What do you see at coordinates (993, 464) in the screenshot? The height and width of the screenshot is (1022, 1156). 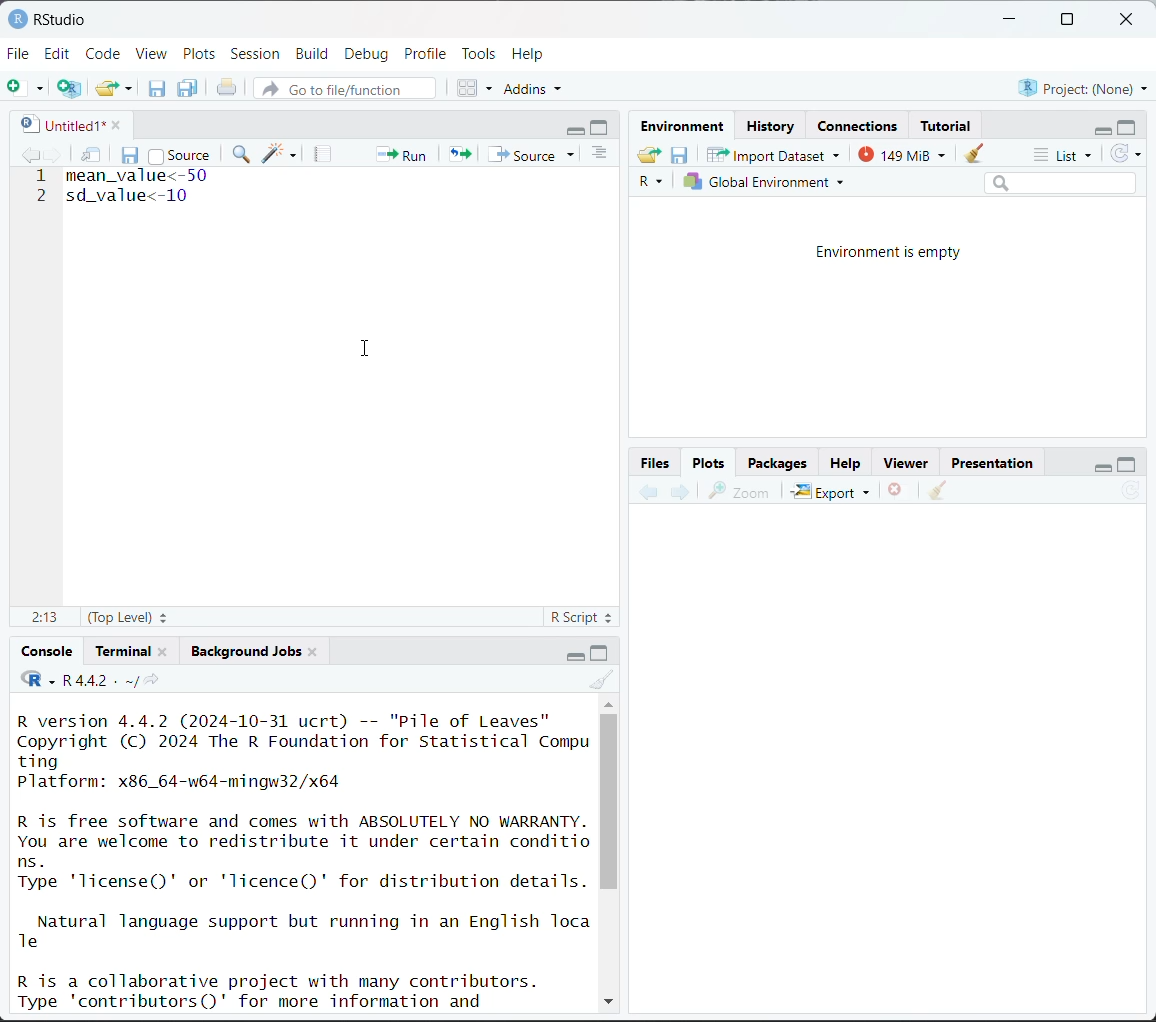 I see `Presentation` at bounding box center [993, 464].